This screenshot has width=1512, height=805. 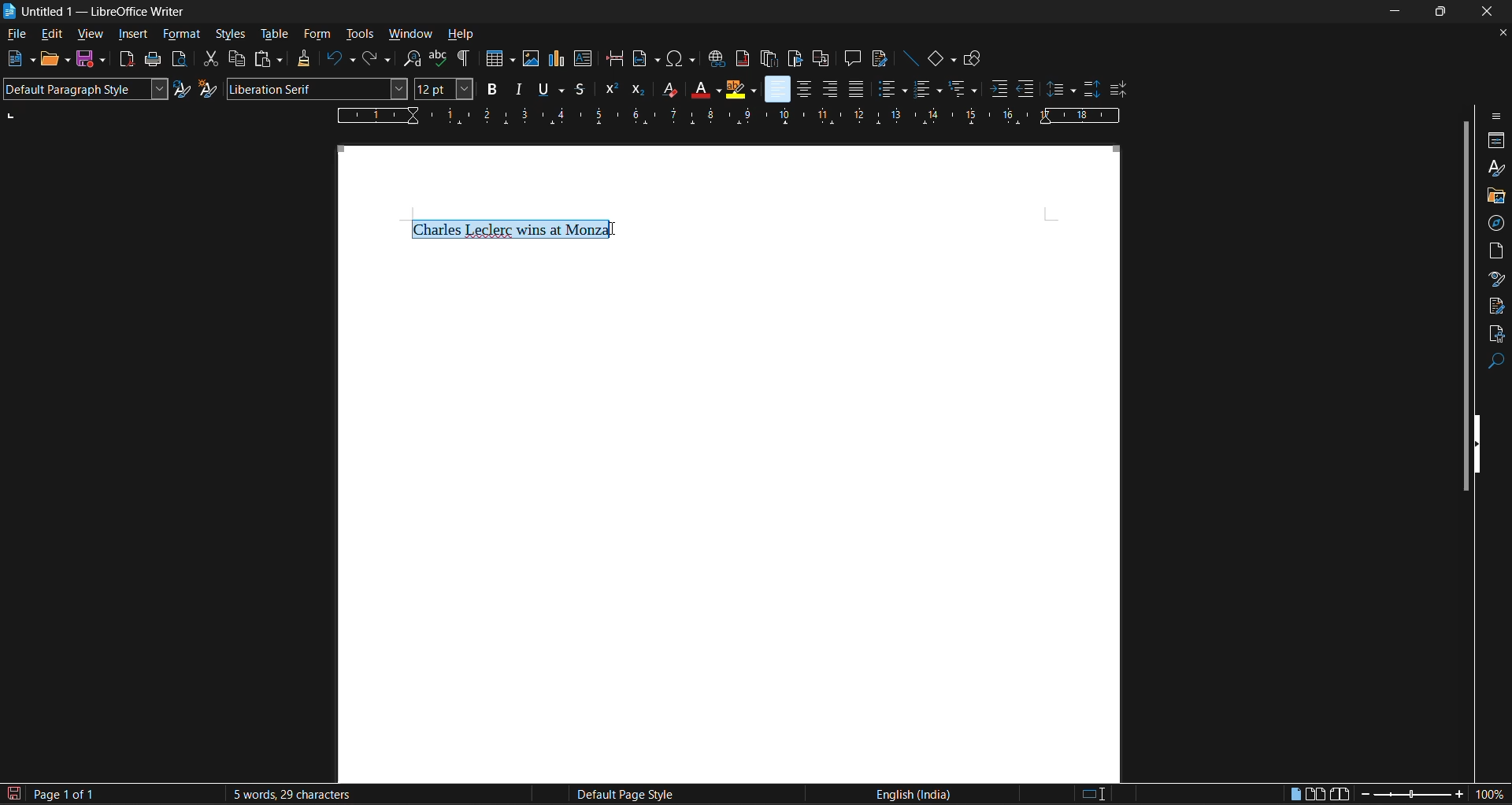 What do you see at coordinates (717, 61) in the screenshot?
I see `insert hyperlink` at bounding box center [717, 61].